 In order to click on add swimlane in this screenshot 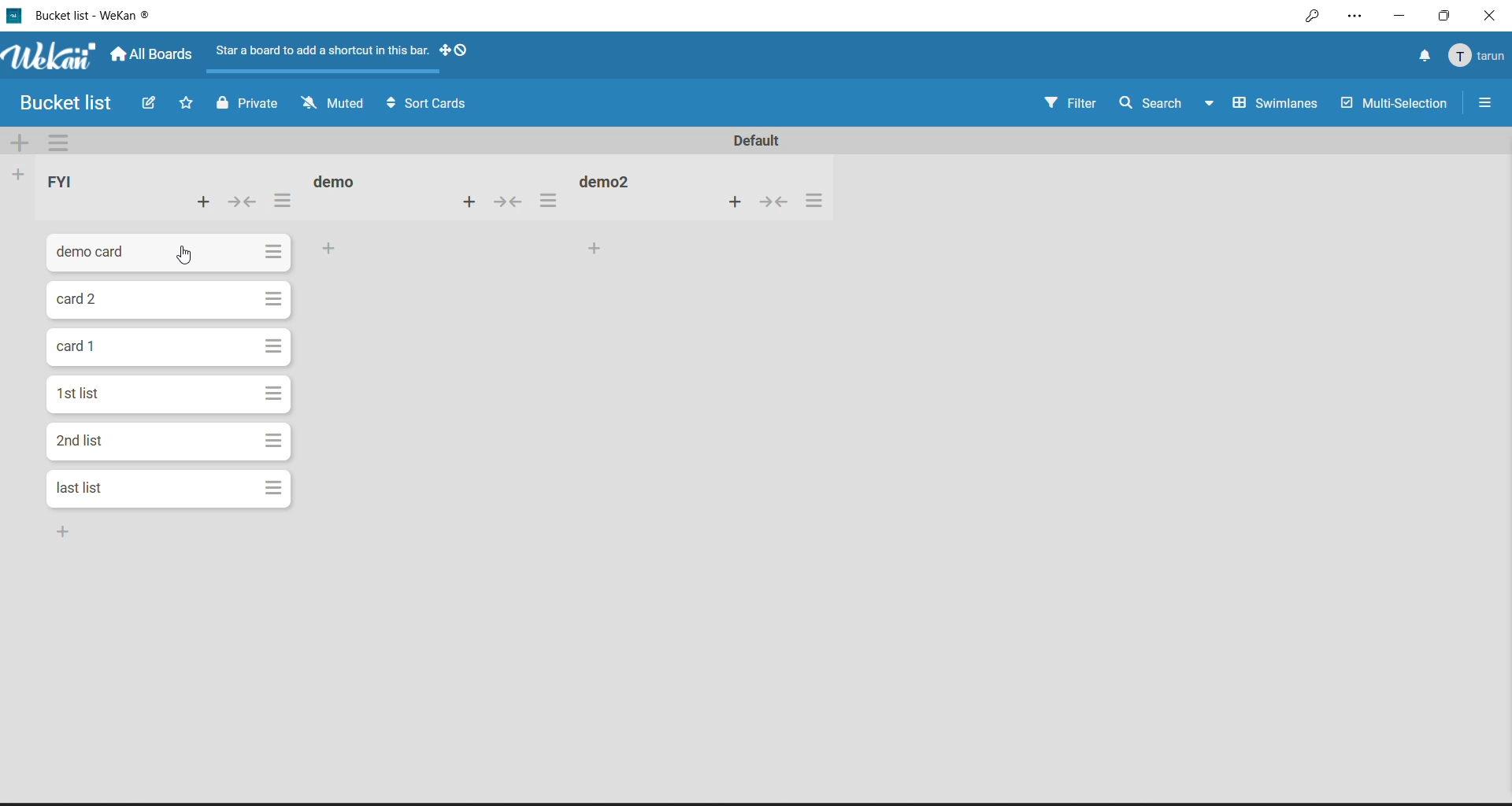, I will do `click(22, 141)`.